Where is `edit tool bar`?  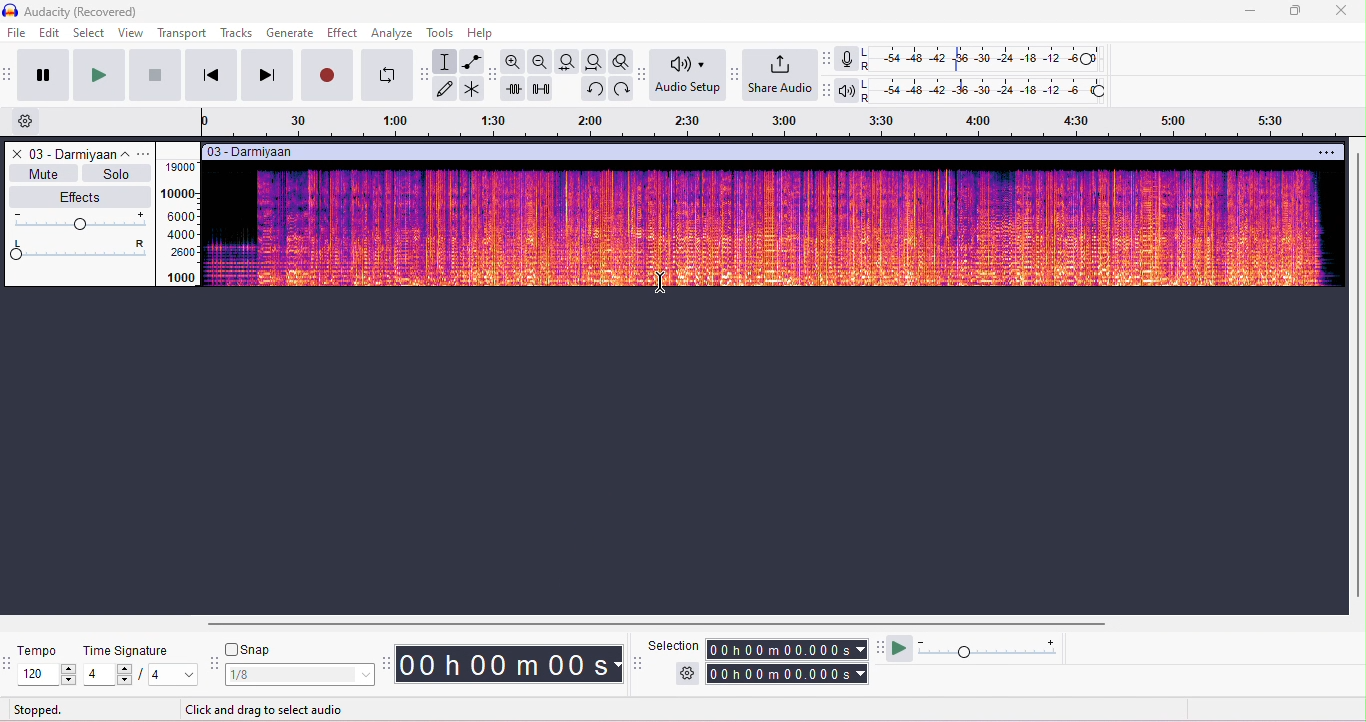 edit tool bar is located at coordinates (493, 76).